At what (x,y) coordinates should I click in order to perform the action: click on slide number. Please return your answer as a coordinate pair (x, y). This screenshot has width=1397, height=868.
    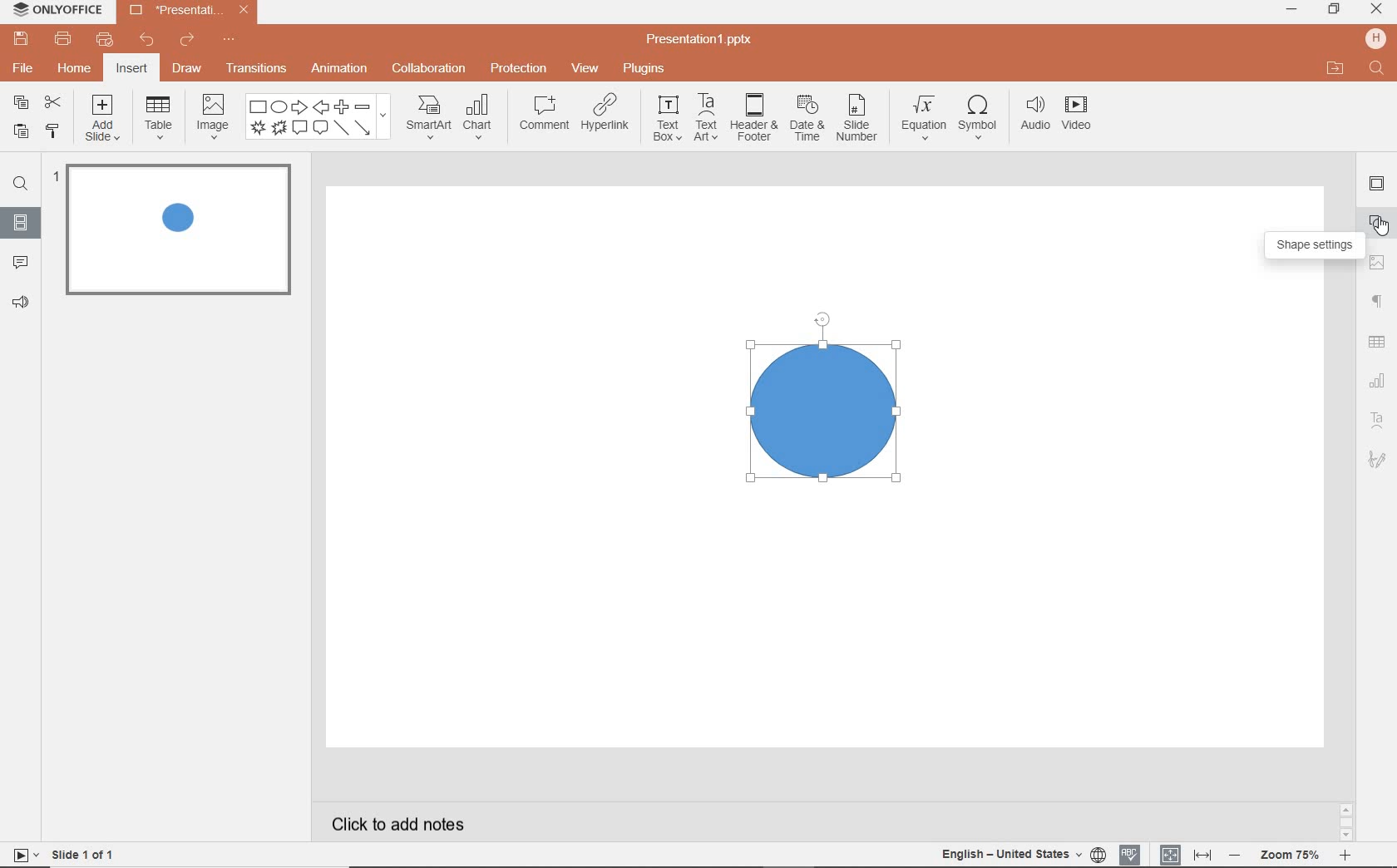
    Looking at the image, I should click on (857, 119).